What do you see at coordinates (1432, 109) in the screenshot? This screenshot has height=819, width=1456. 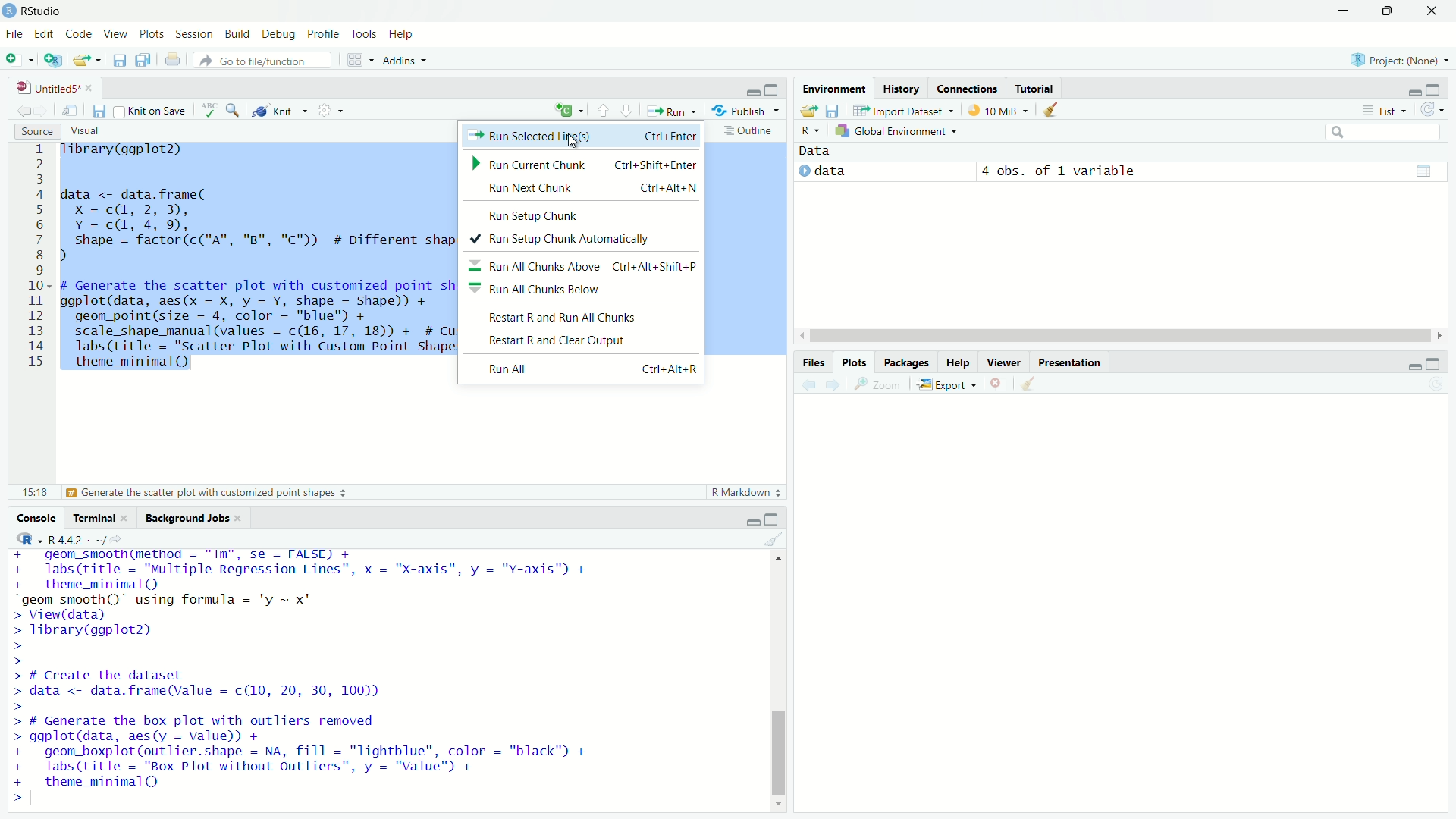 I see `Refresh the list of objects in the environment` at bounding box center [1432, 109].